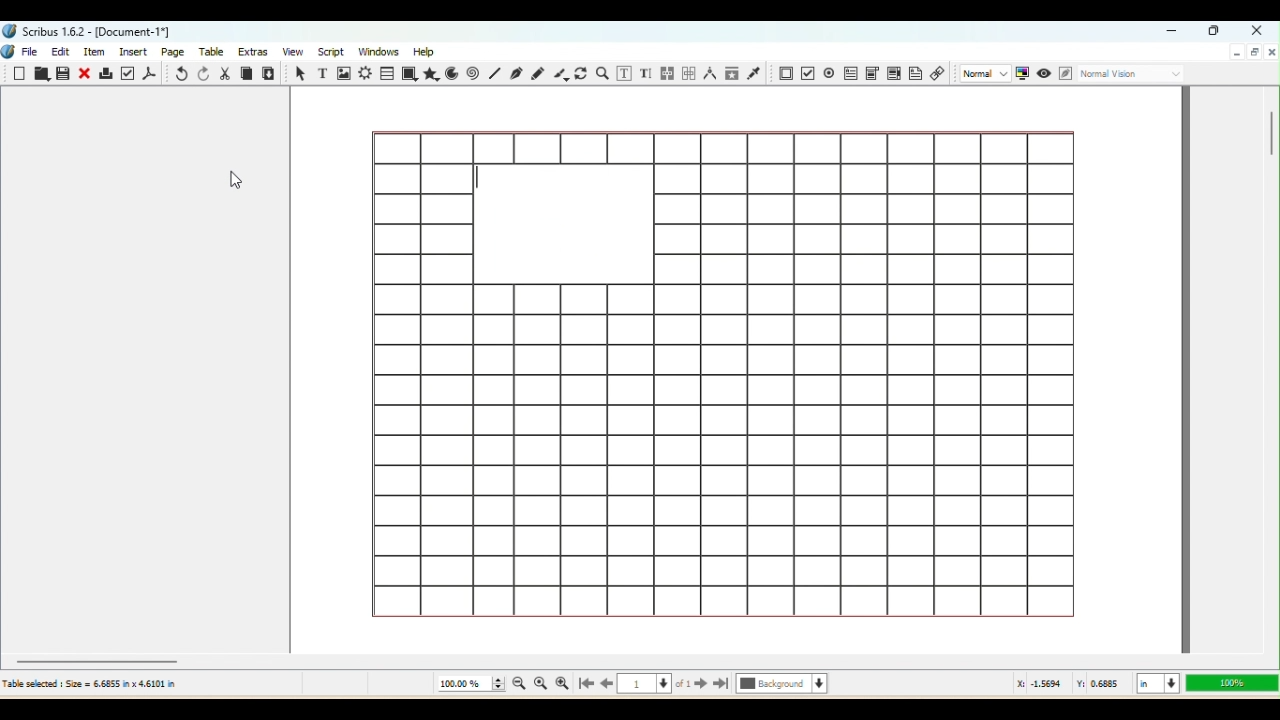 This screenshot has width=1280, height=720. Describe the element at coordinates (1230, 683) in the screenshot. I see `Zoom level` at that location.